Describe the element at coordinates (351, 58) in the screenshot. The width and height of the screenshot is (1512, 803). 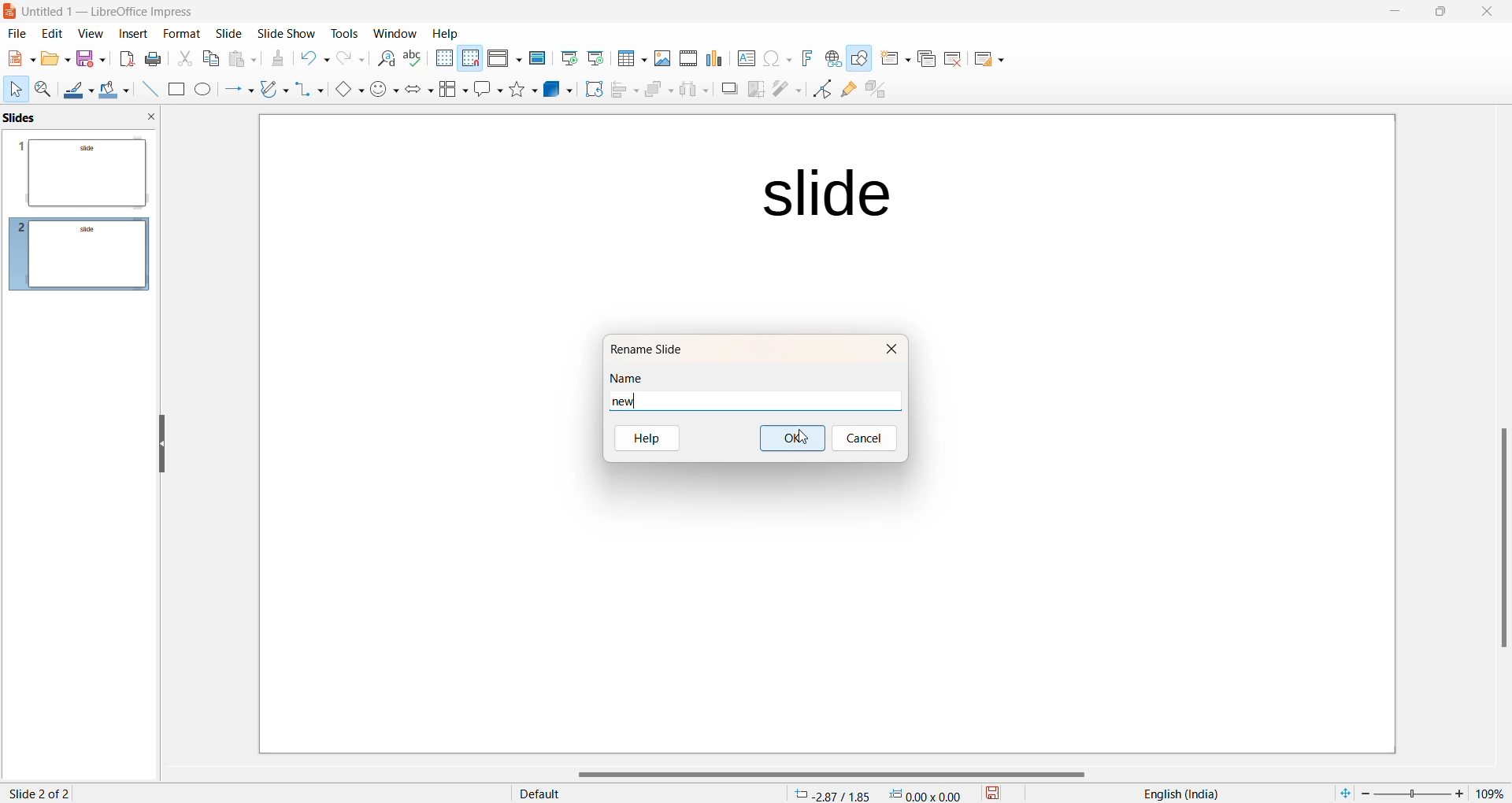
I see `Redo` at that location.